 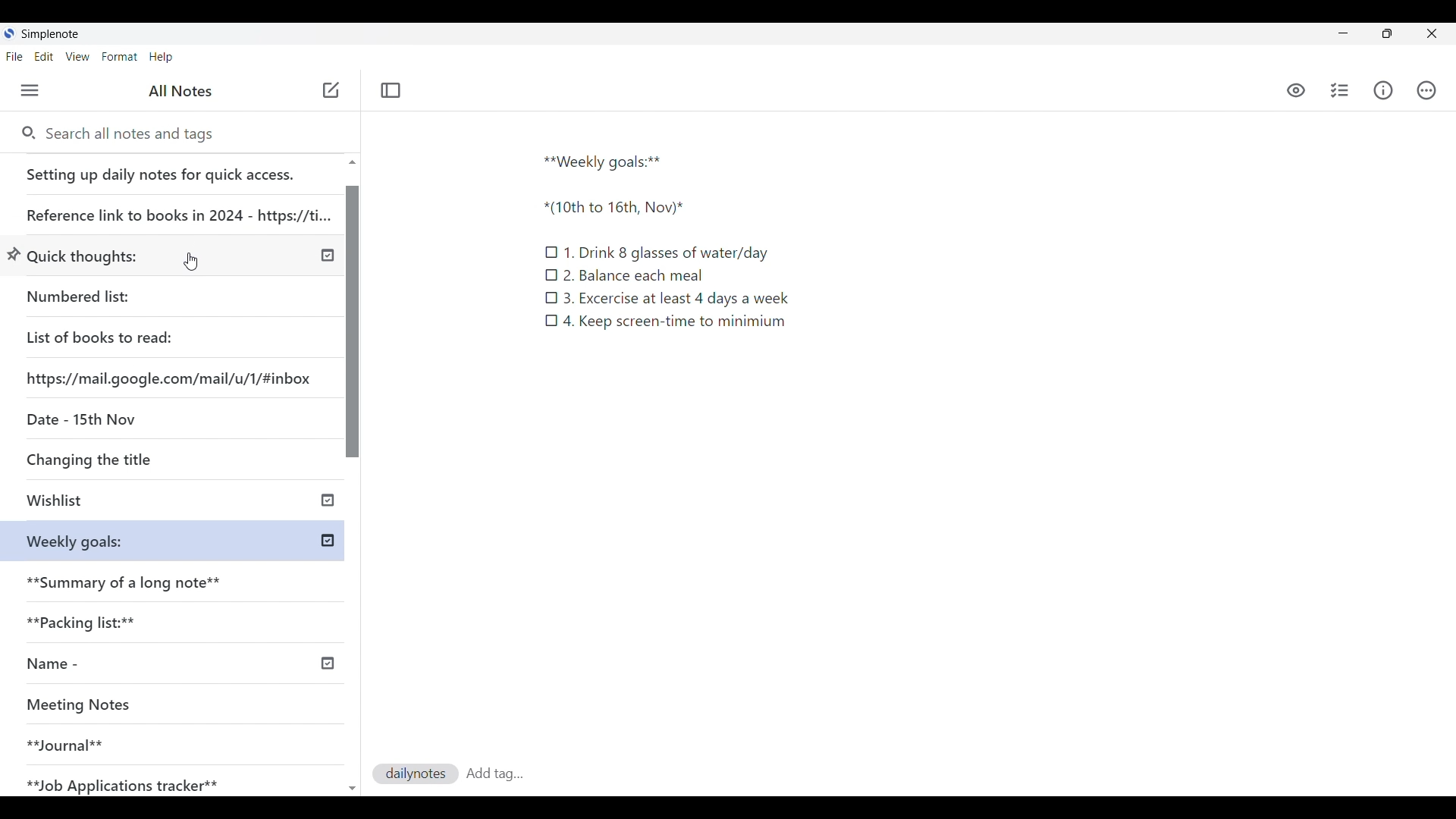 What do you see at coordinates (174, 170) in the screenshot?
I see `Setting up daily notes` at bounding box center [174, 170].